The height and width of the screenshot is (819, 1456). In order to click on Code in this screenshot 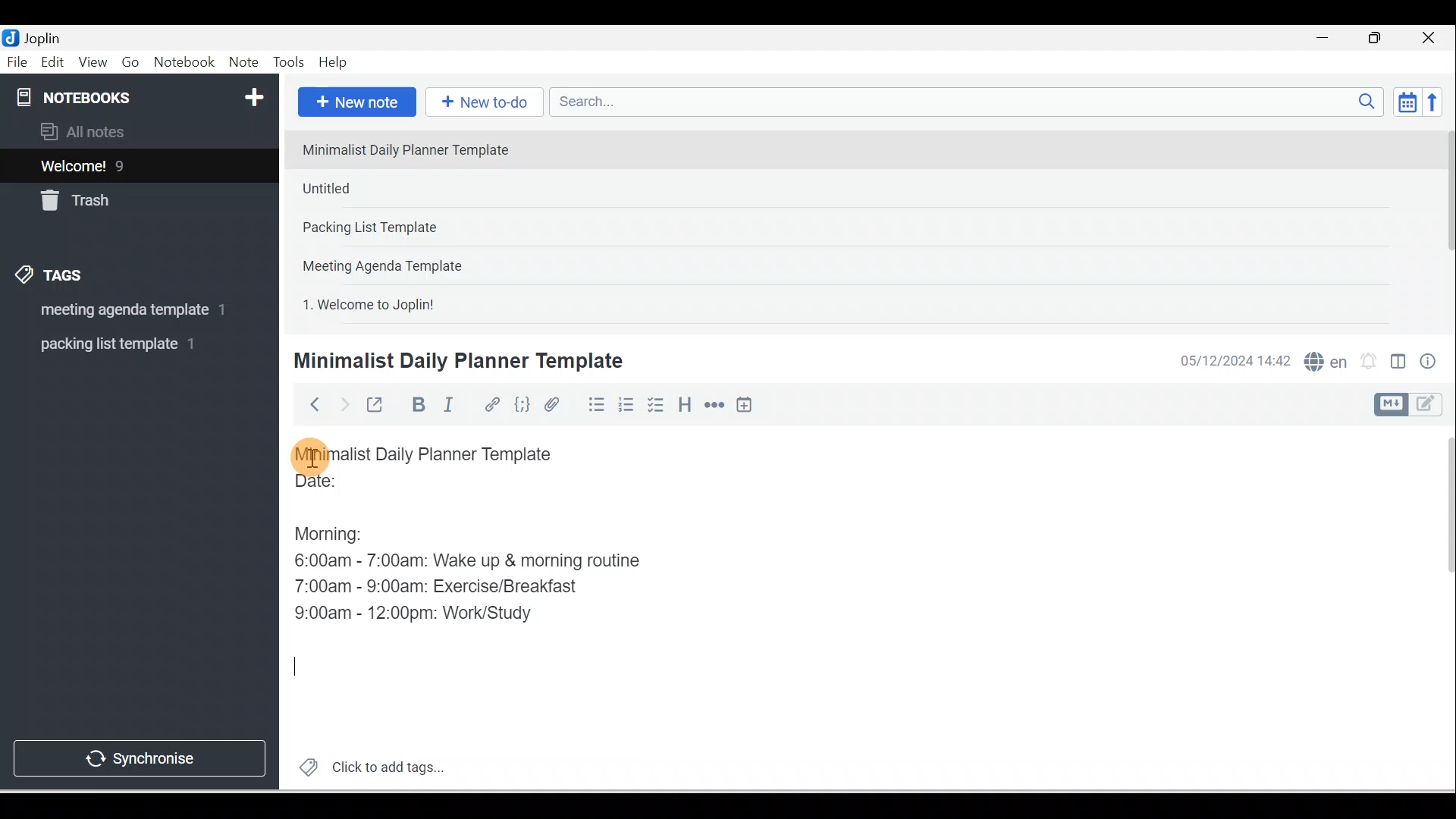, I will do `click(522, 406)`.